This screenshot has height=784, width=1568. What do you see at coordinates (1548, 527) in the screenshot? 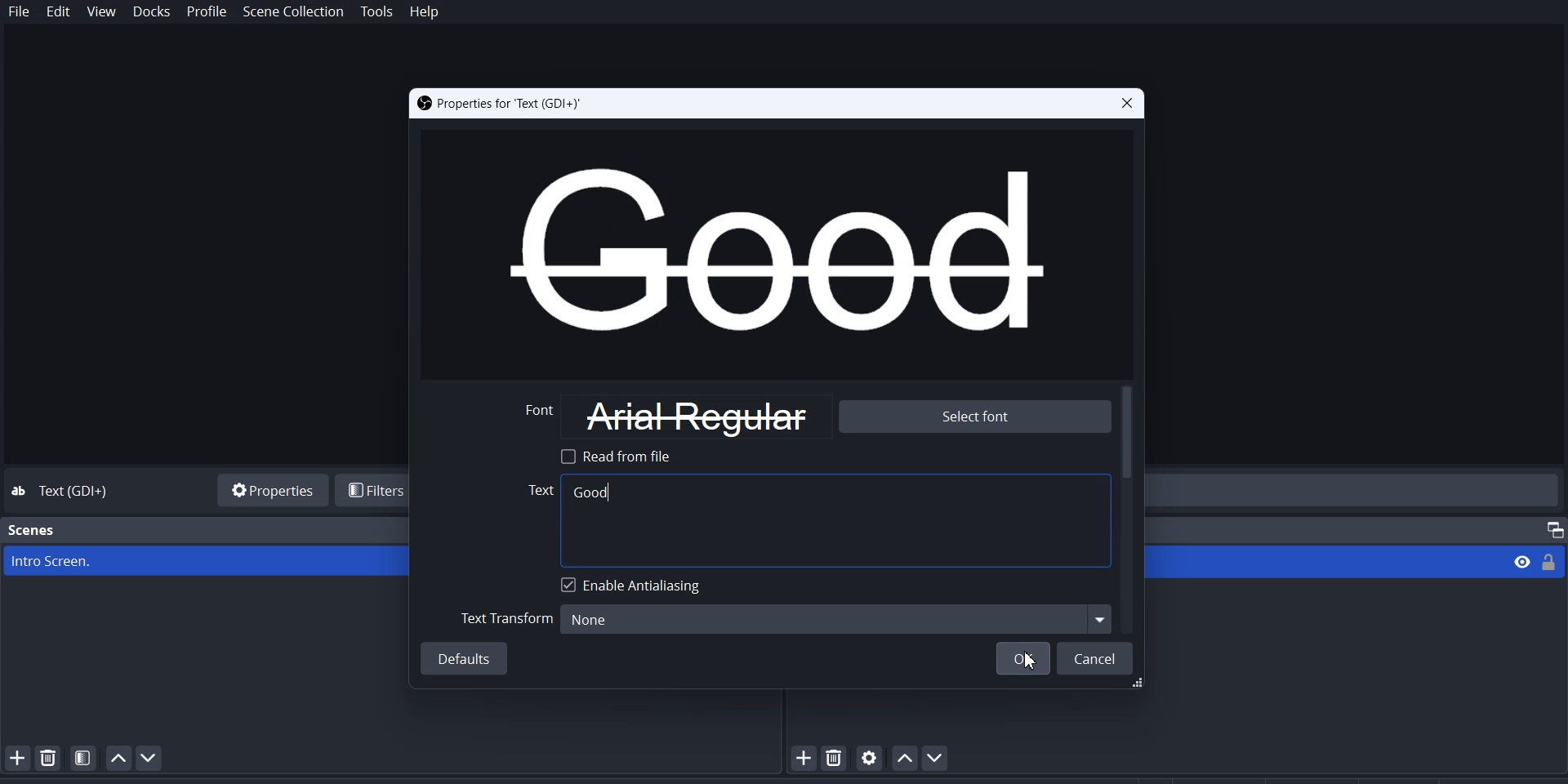
I see `Maximize` at bounding box center [1548, 527].